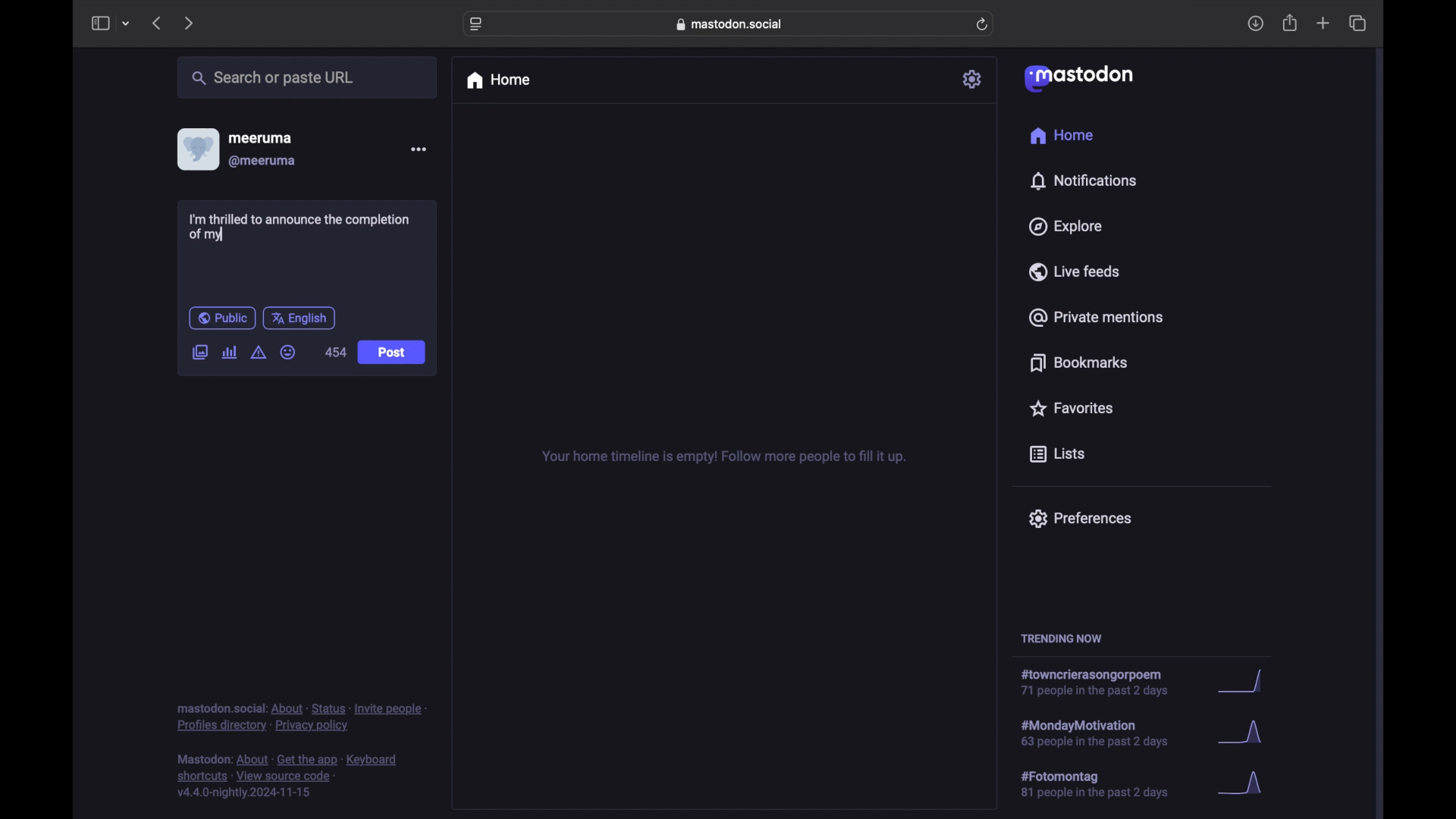 This screenshot has height=819, width=1456. What do you see at coordinates (973, 79) in the screenshot?
I see `settings` at bounding box center [973, 79].